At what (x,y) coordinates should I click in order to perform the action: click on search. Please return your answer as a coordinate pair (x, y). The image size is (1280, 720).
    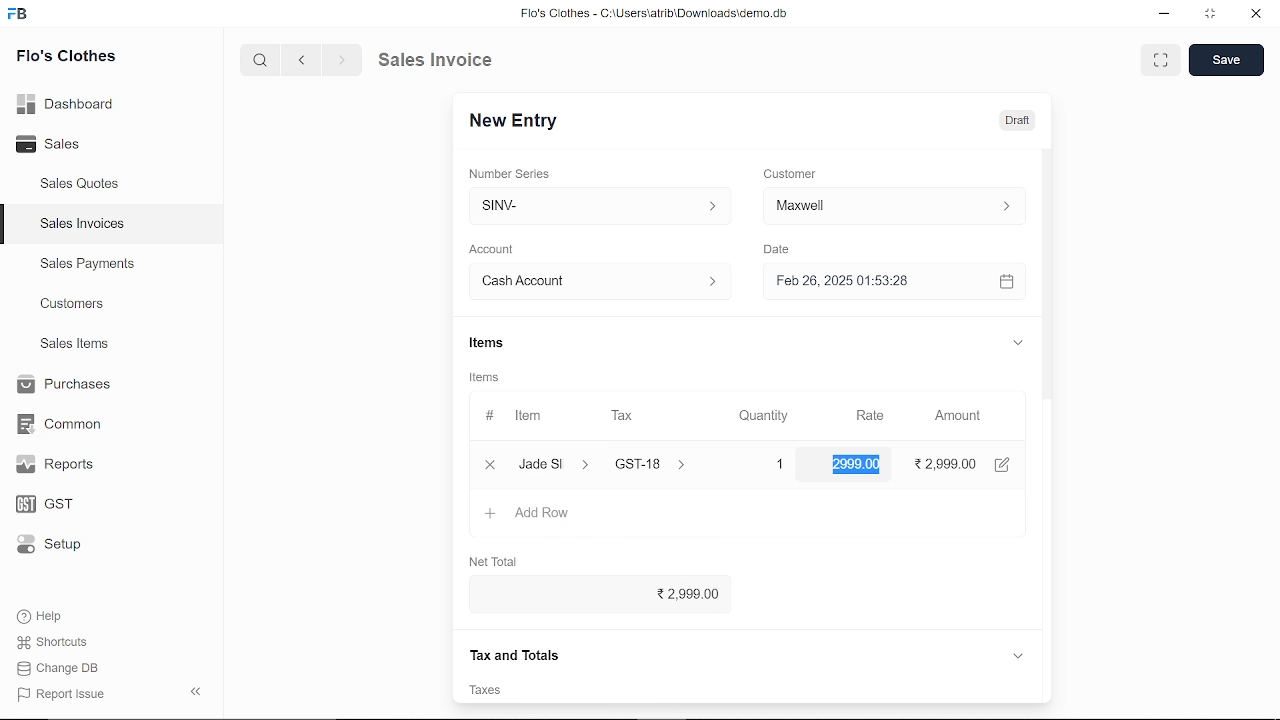
    Looking at the image, I should click on (262, 59).